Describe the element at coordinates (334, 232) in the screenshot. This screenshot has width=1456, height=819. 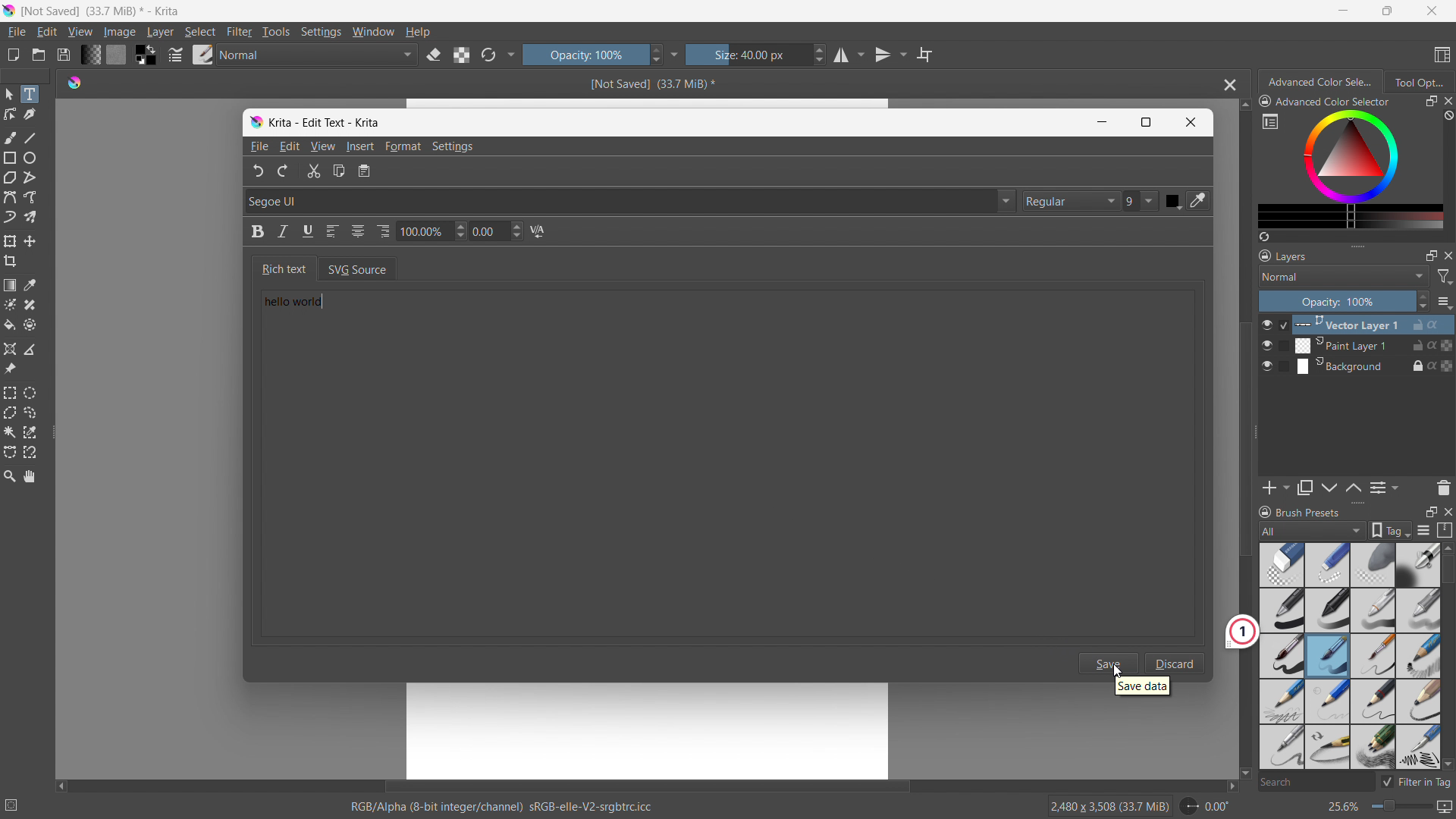
I see `Left align` at that location.